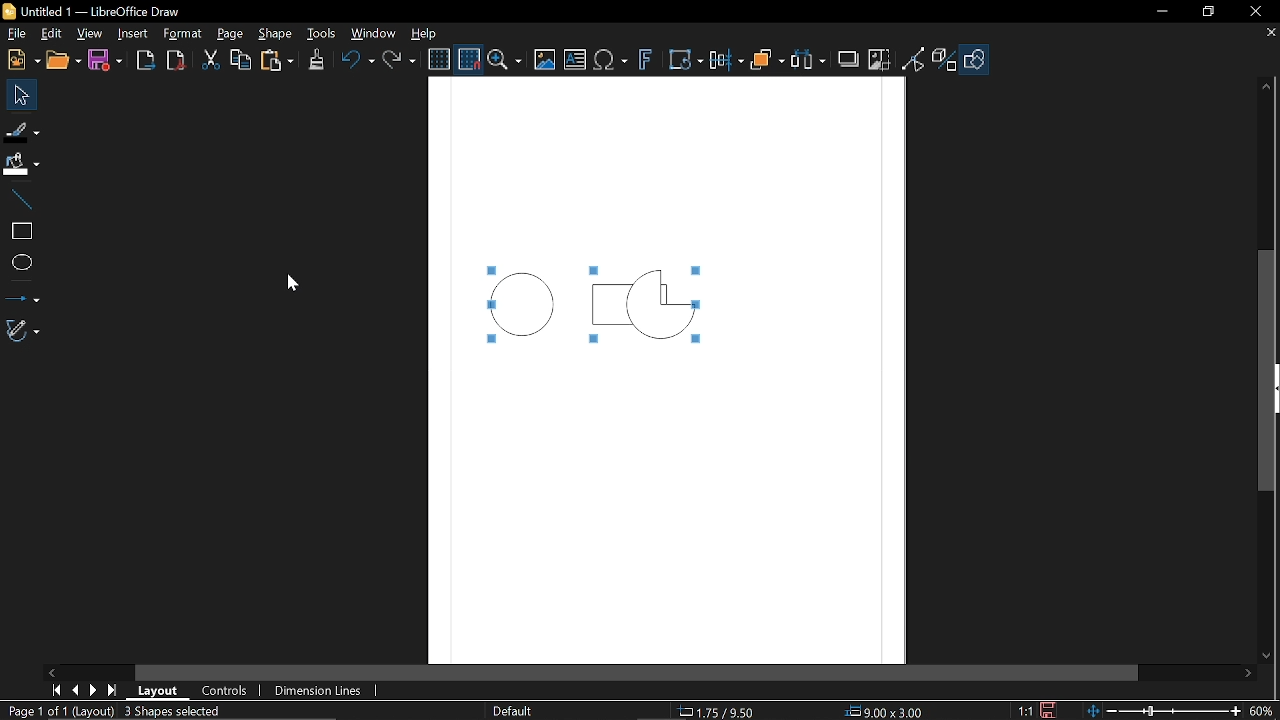 The width and height of the screenshot is (1280, 720). What do you see at coordinates (488, 343) in the screenshot?
I see `Tiny square marked around the selected objects` at bounding box center [488, 343].